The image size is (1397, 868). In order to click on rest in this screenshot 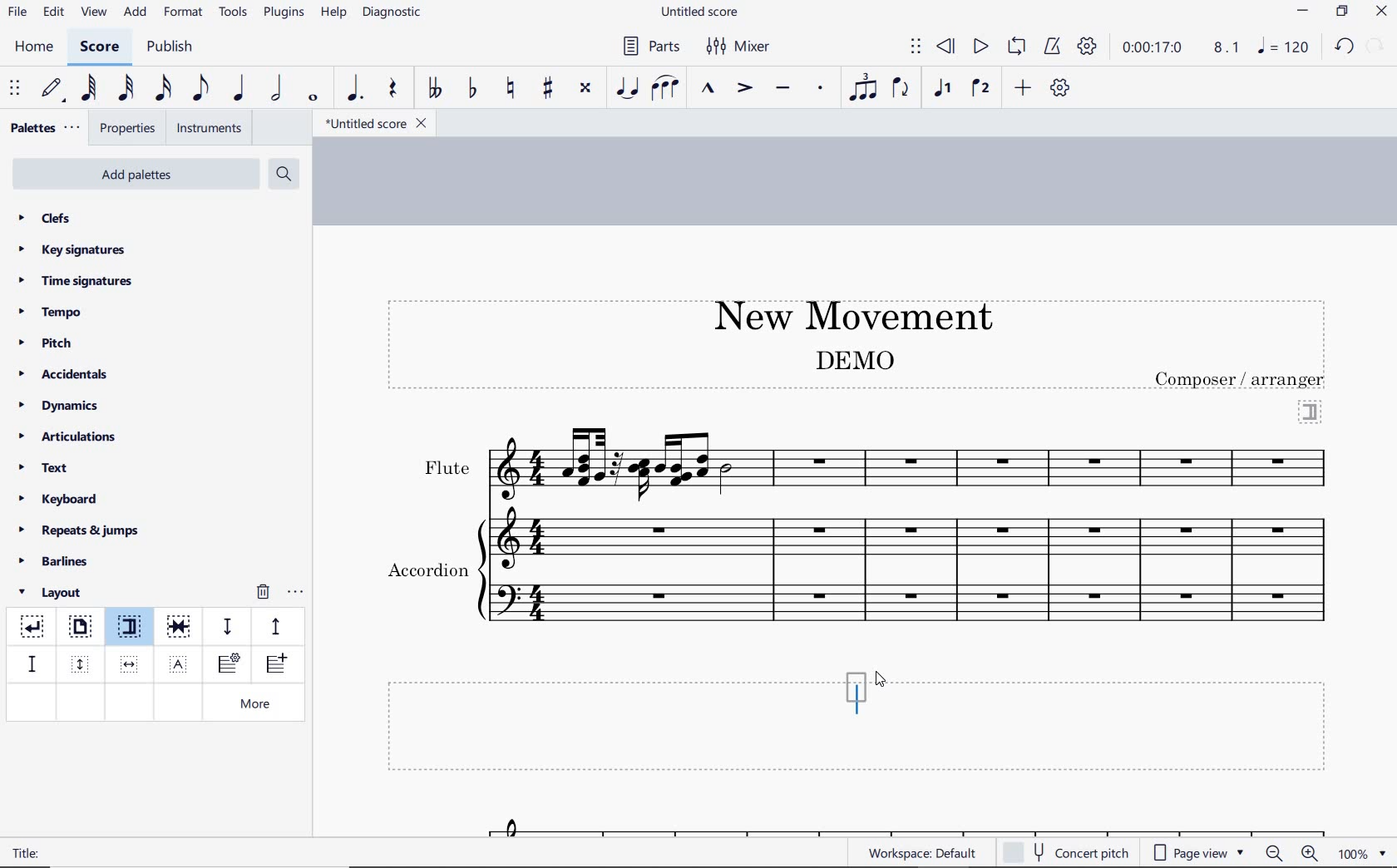, I will do `click(393, 90)`.